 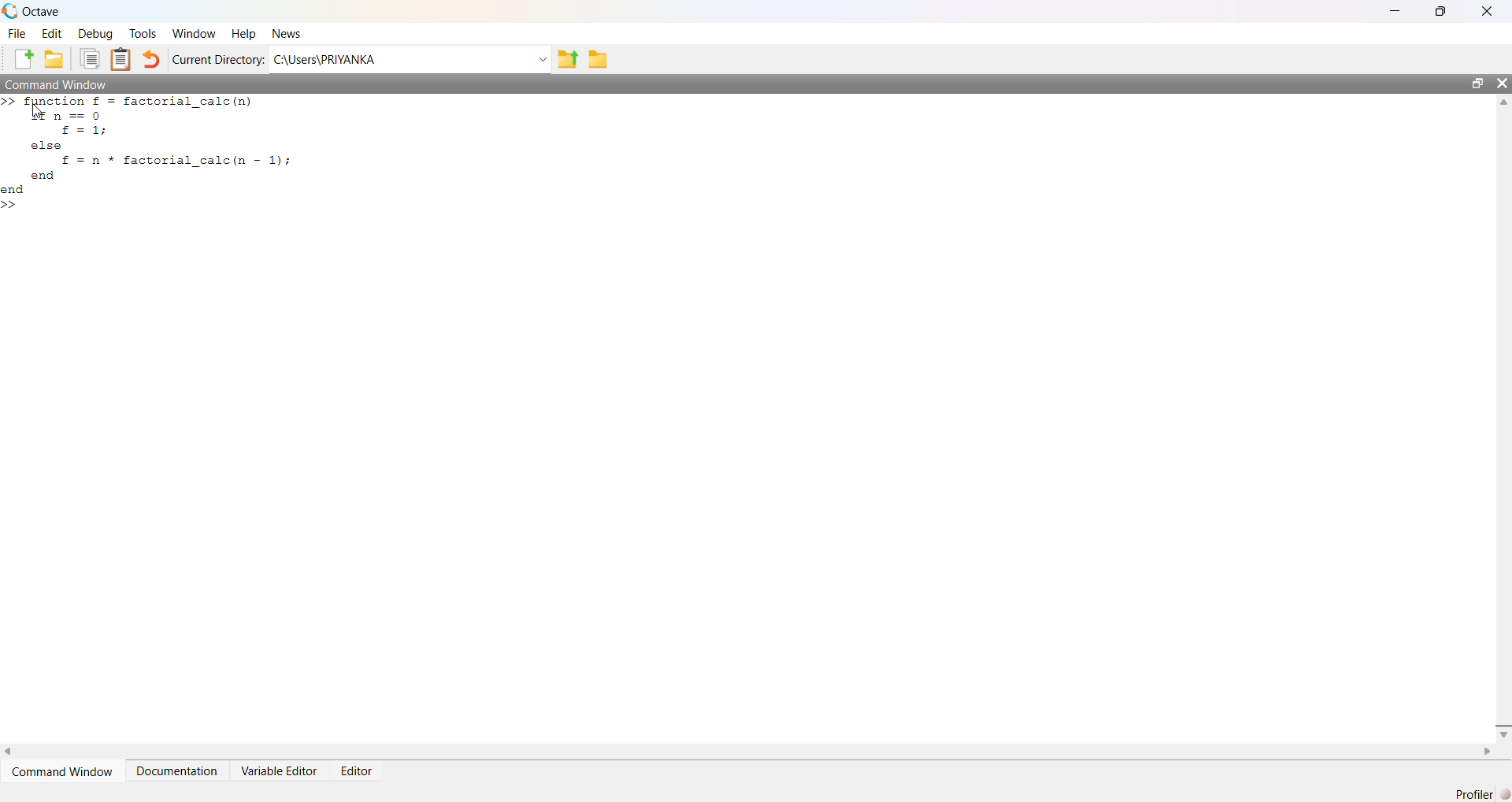 I want to click on news, so click(x=286, y=34).